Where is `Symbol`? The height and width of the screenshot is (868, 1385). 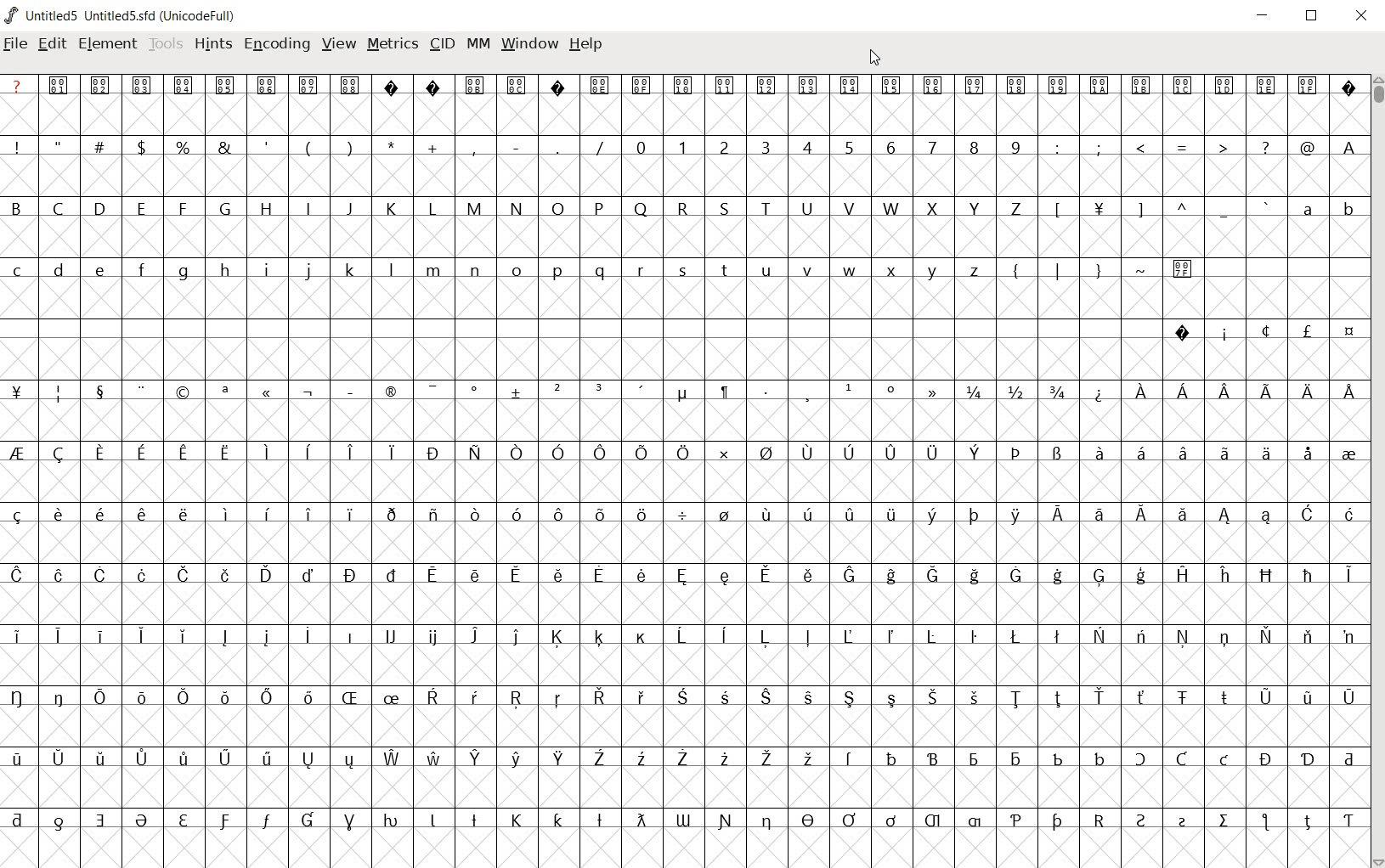
Symbol is located at coordinates (393, 573).